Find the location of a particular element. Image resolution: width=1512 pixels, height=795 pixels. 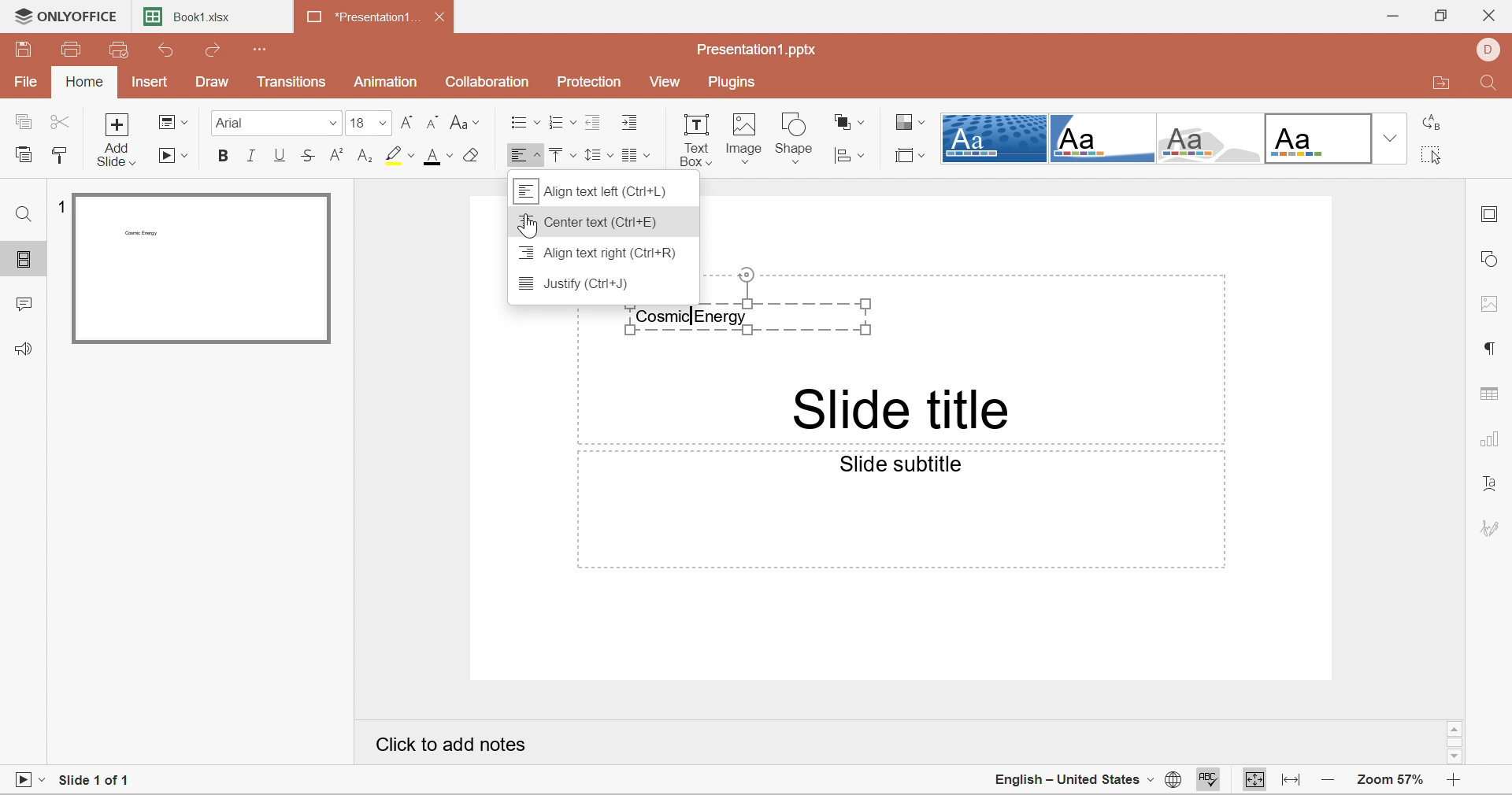

Scroll Bar is located at coordinates (1456, 741).